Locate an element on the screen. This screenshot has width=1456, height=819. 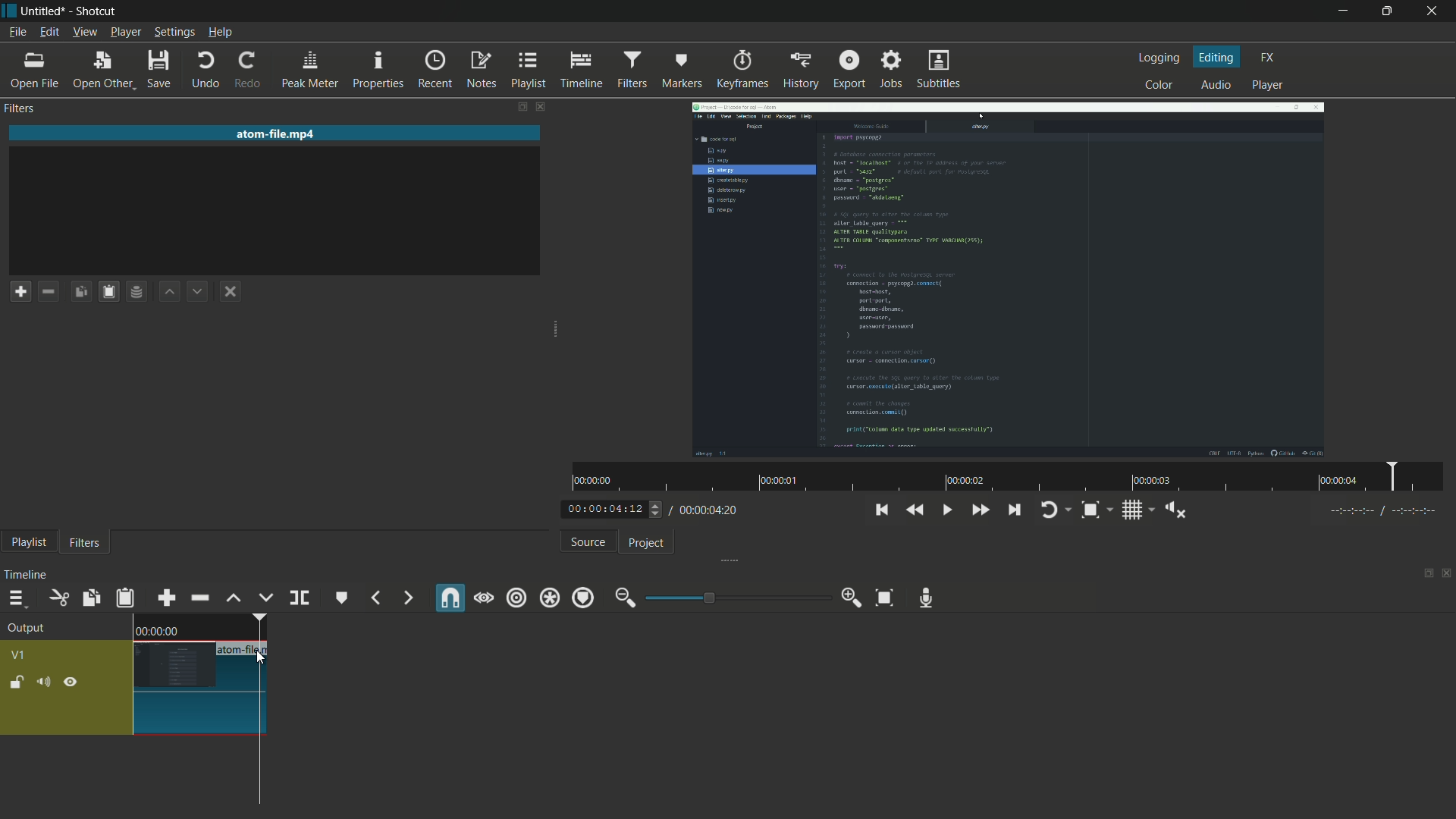
cursor is located at coordinates (261, 658).